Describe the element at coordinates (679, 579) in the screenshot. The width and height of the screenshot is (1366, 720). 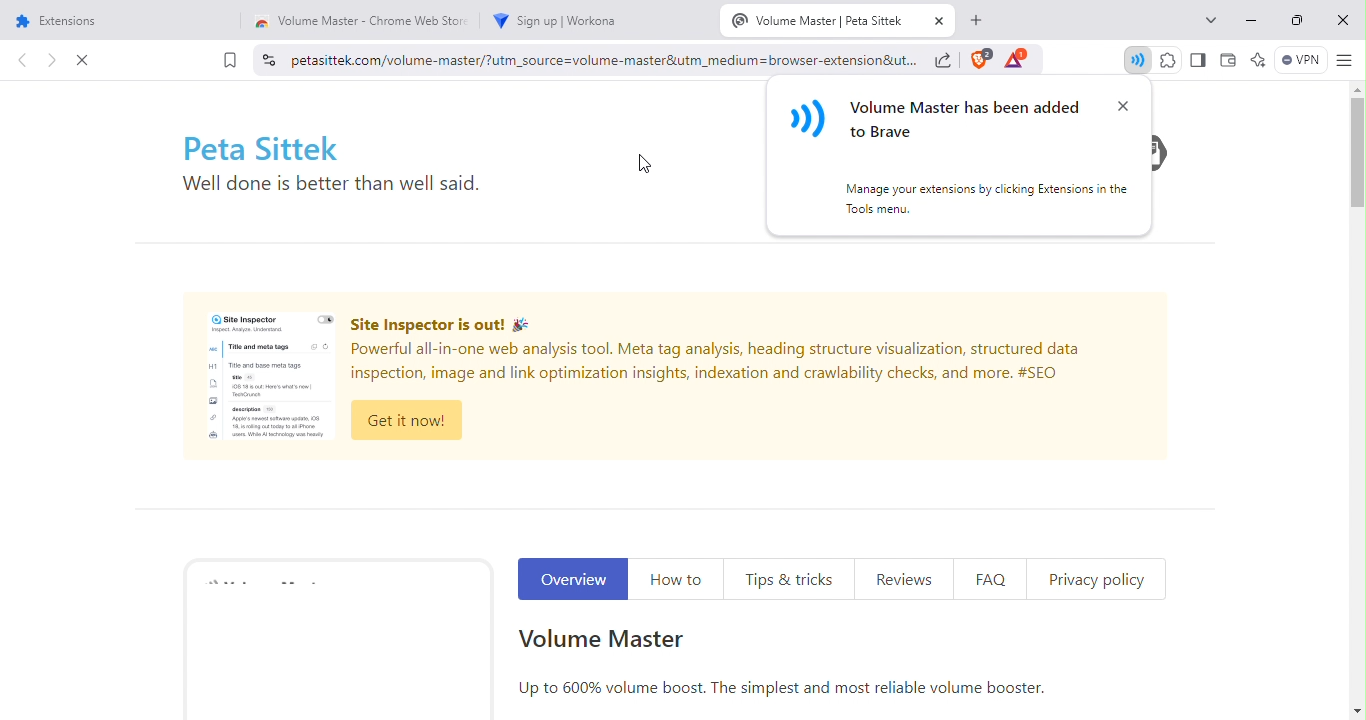
I see `How to` at that location.